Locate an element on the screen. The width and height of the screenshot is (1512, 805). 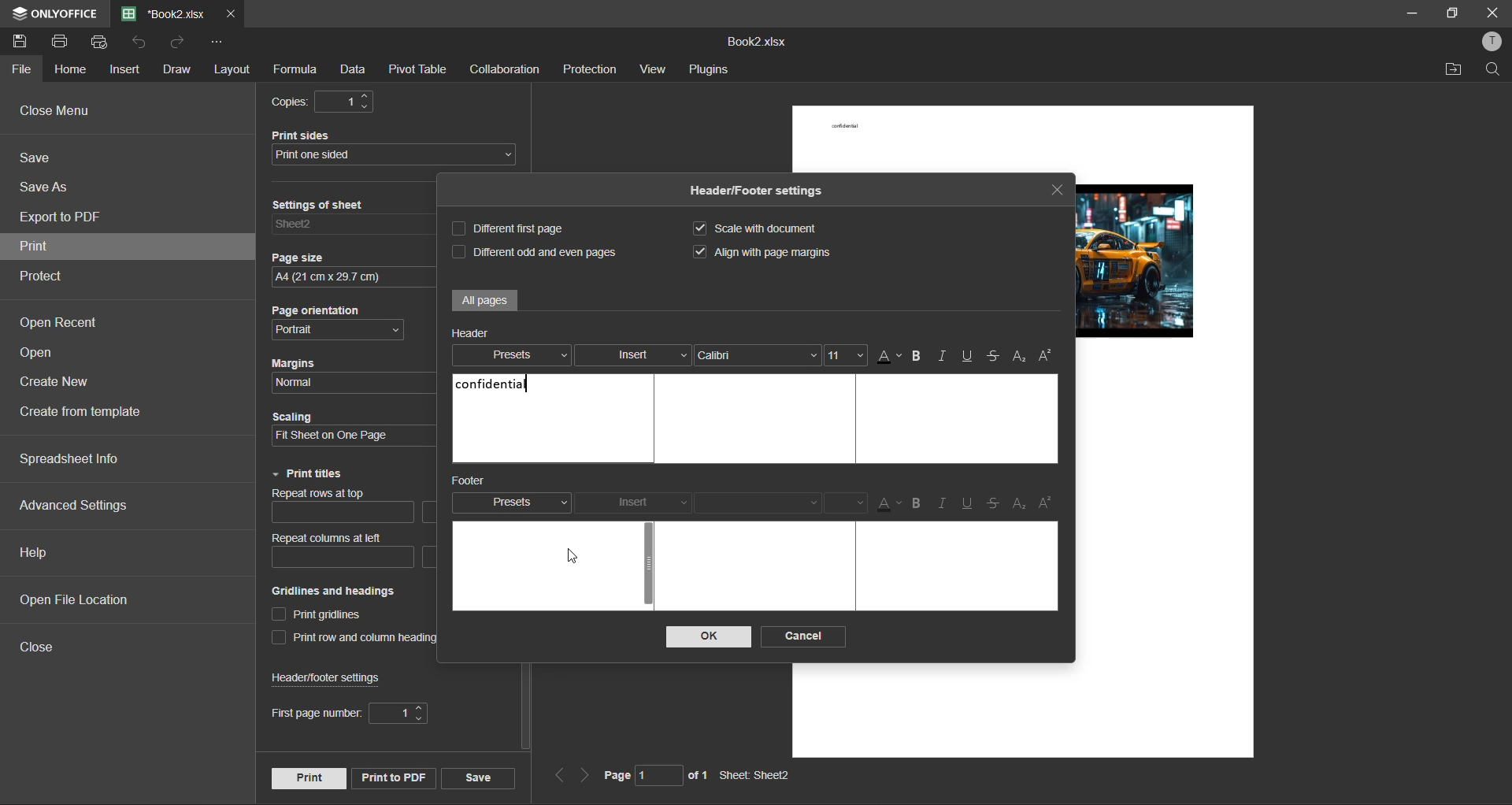
close menu is located at coordinates (60, 110).